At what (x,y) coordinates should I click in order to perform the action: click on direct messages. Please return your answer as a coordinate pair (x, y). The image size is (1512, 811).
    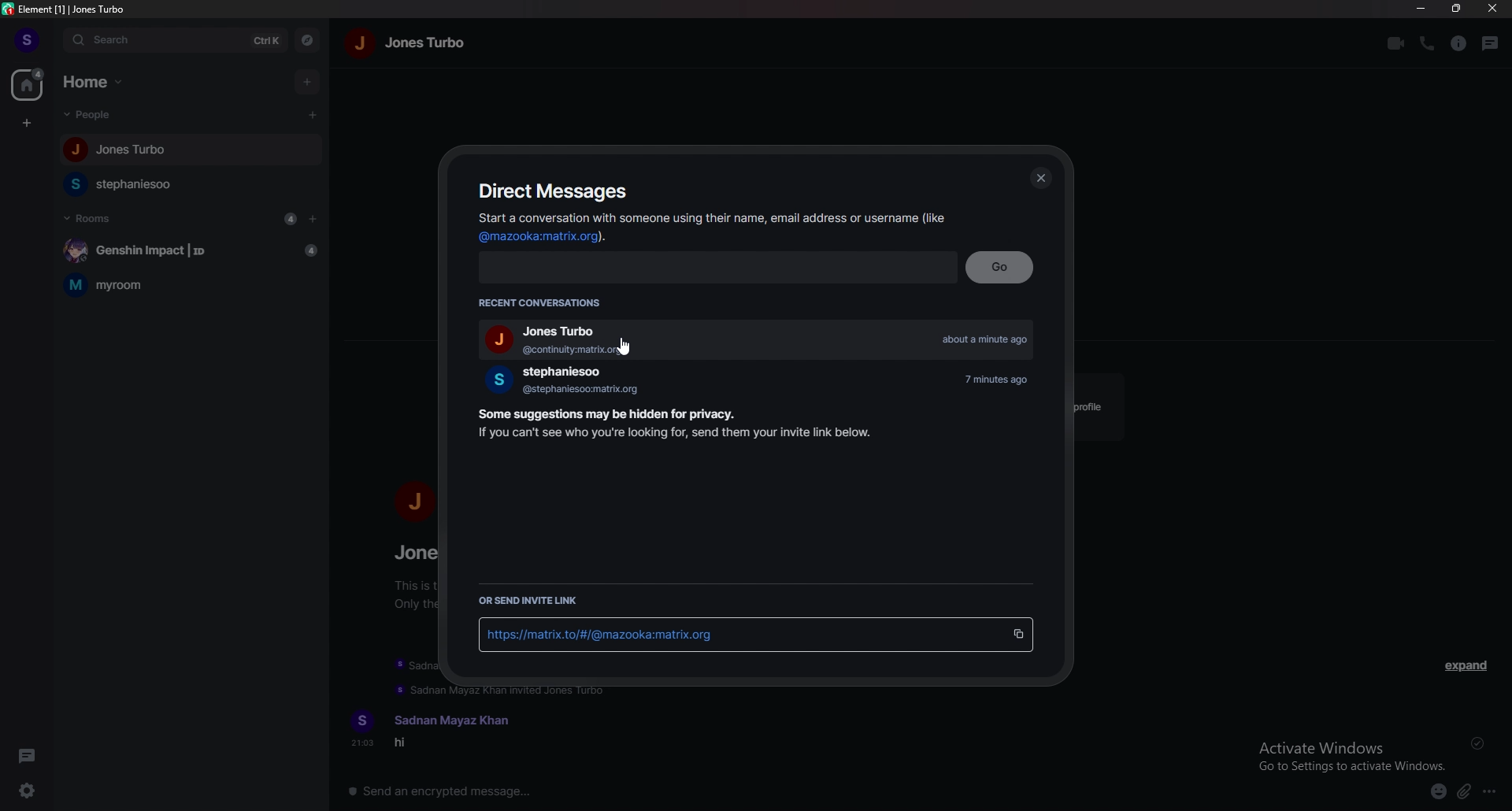
    Looking at the image, I should click on (558, 191).